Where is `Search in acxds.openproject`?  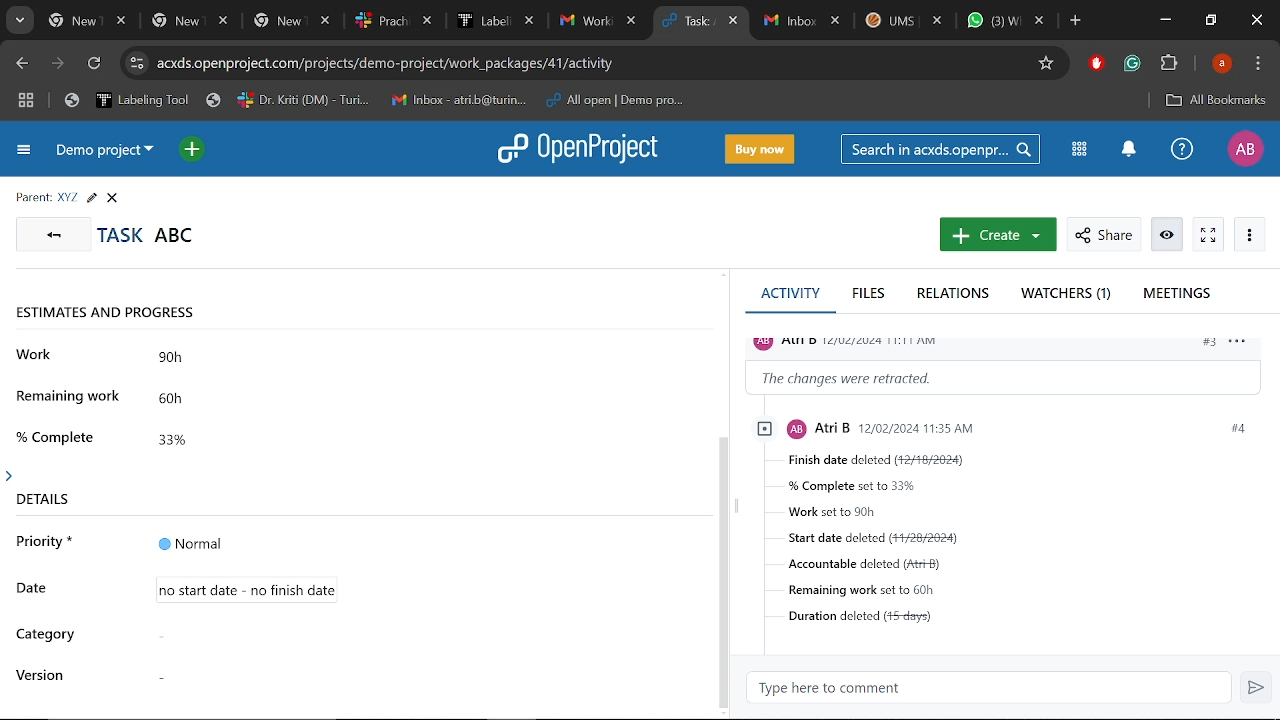 Search in acxds.openproject is located at coordinates (940, 149).